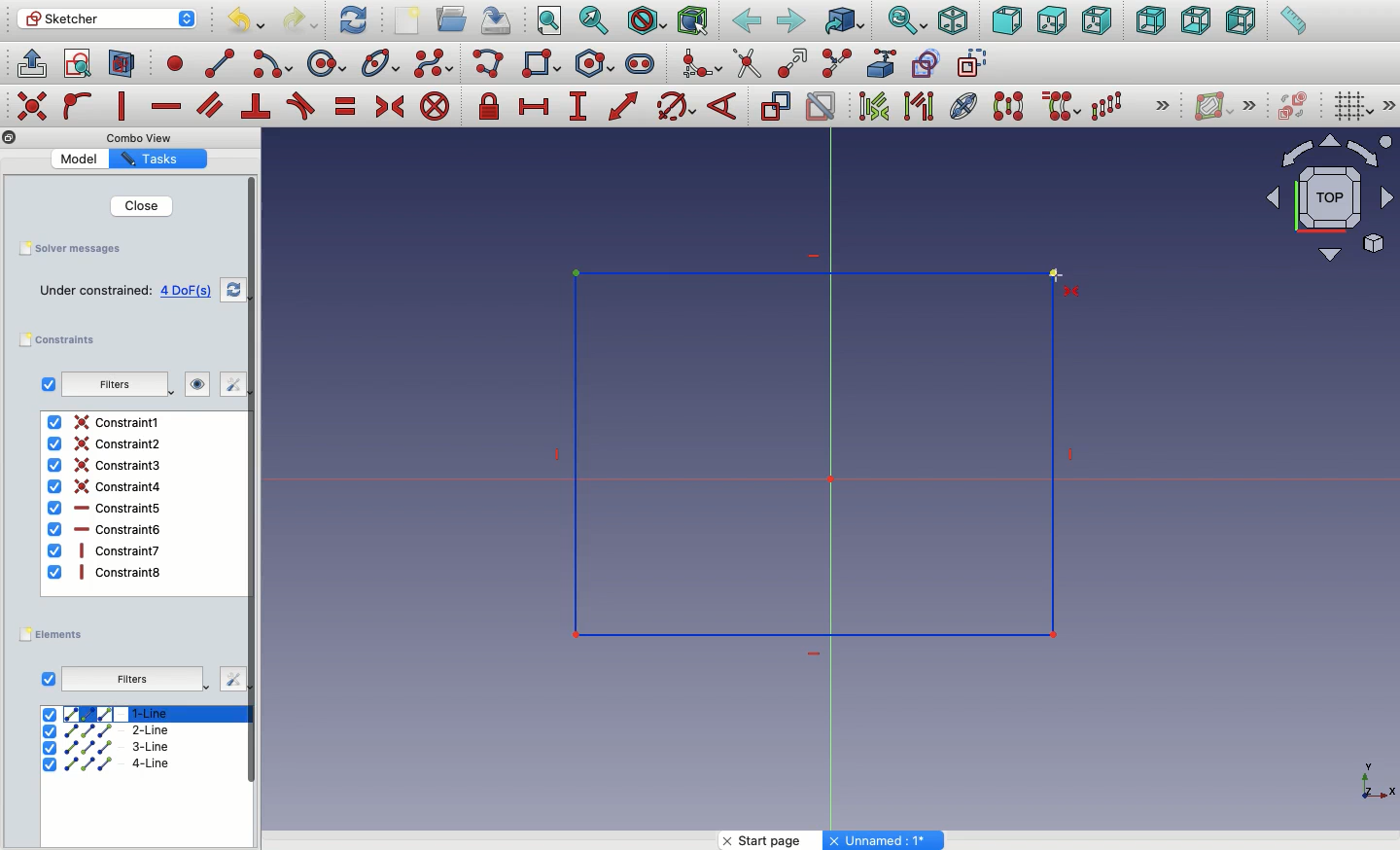  I want to click on Switch virtual place, so click(1289, 108).